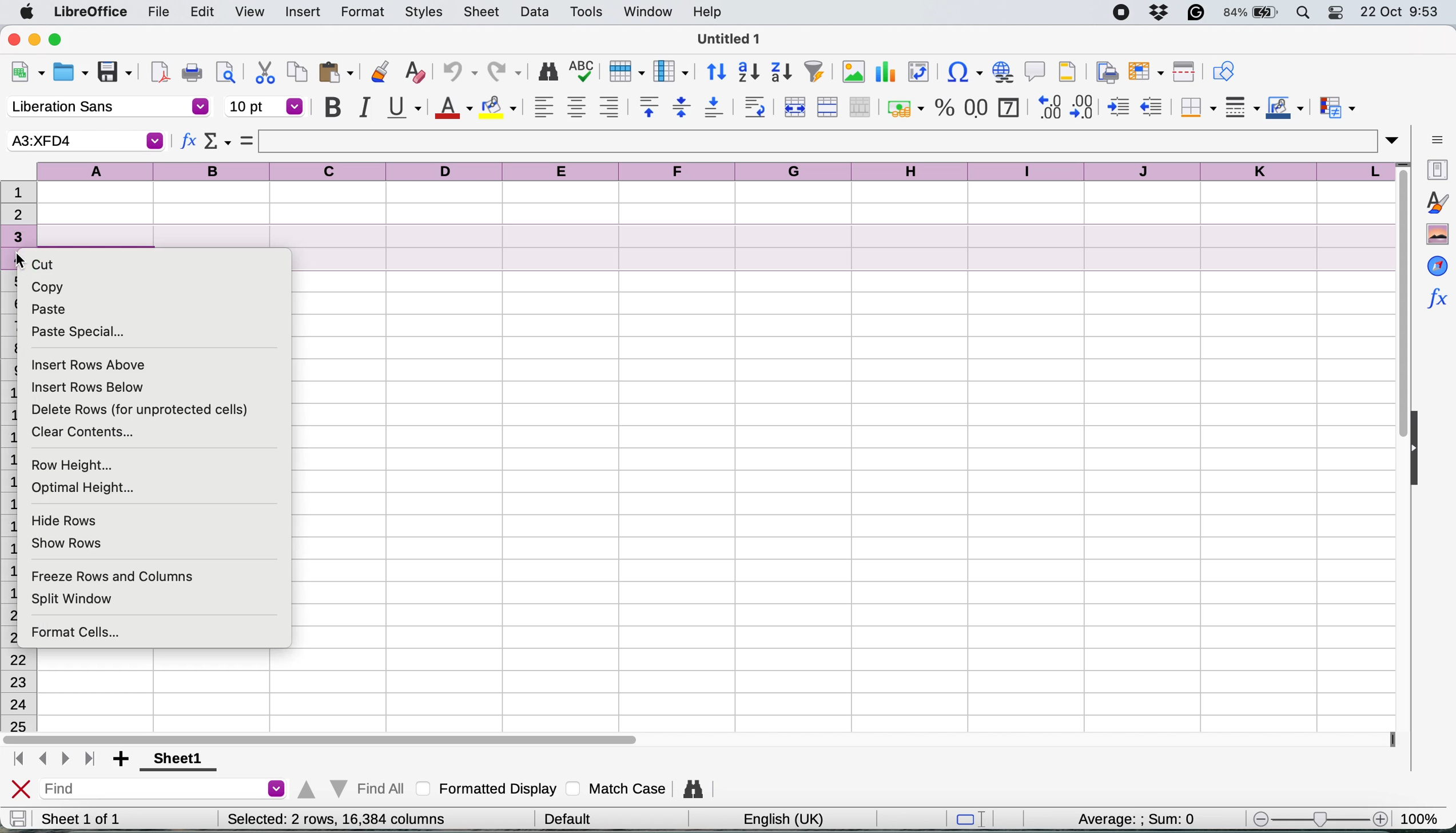 The height and width of the screenshot is (833, 1456). I want to click on align bottom, so click(715, 107).